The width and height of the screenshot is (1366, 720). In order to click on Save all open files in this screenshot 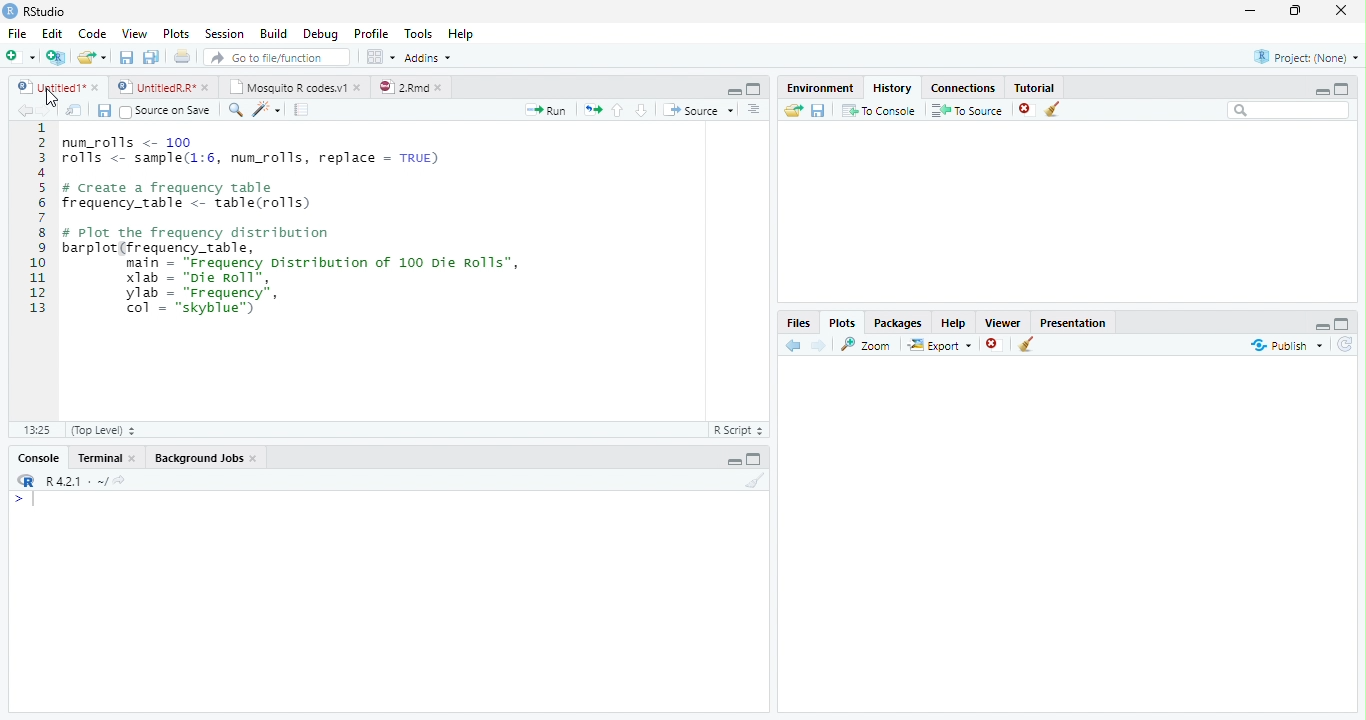, I will do `click(151, 57)`.